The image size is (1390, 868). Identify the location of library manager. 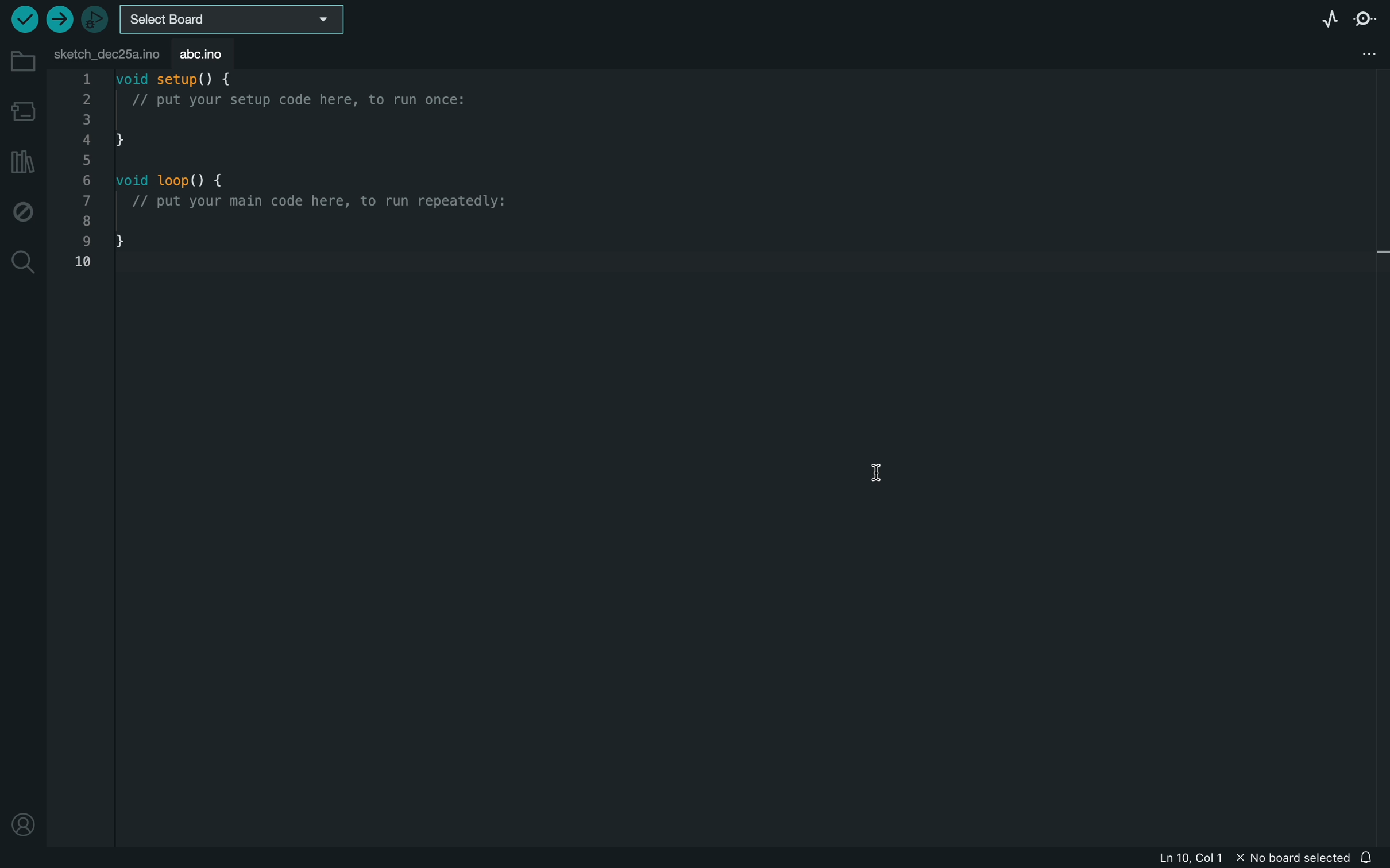
(20, 161).